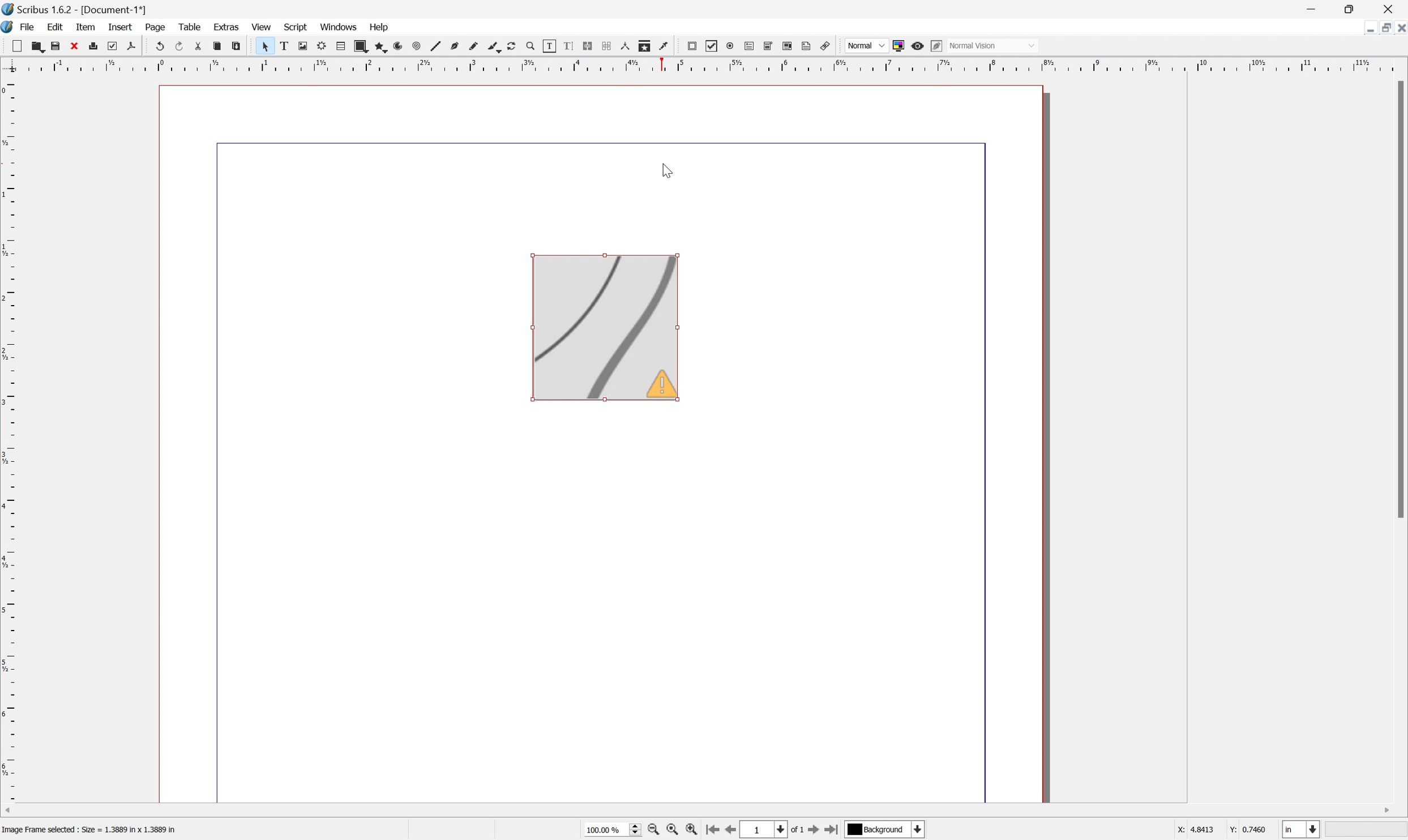  Describe the element at coordinates (714, 831) in the screenshot. I see `Go to the first page` at that location.